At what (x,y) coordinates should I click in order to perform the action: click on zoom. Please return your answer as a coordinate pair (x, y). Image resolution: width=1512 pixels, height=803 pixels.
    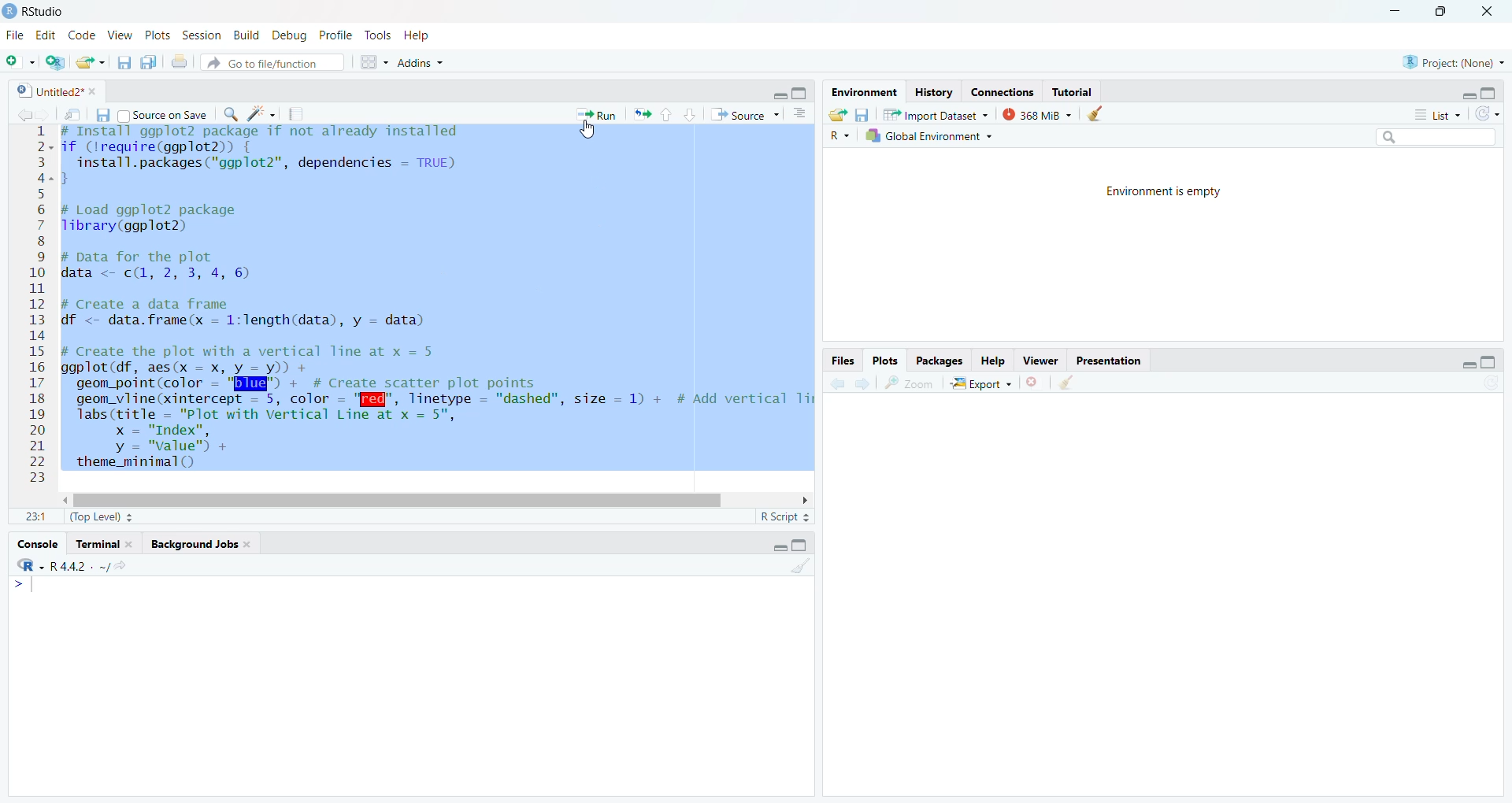
    Looking at the image, I should click on (909, 383).